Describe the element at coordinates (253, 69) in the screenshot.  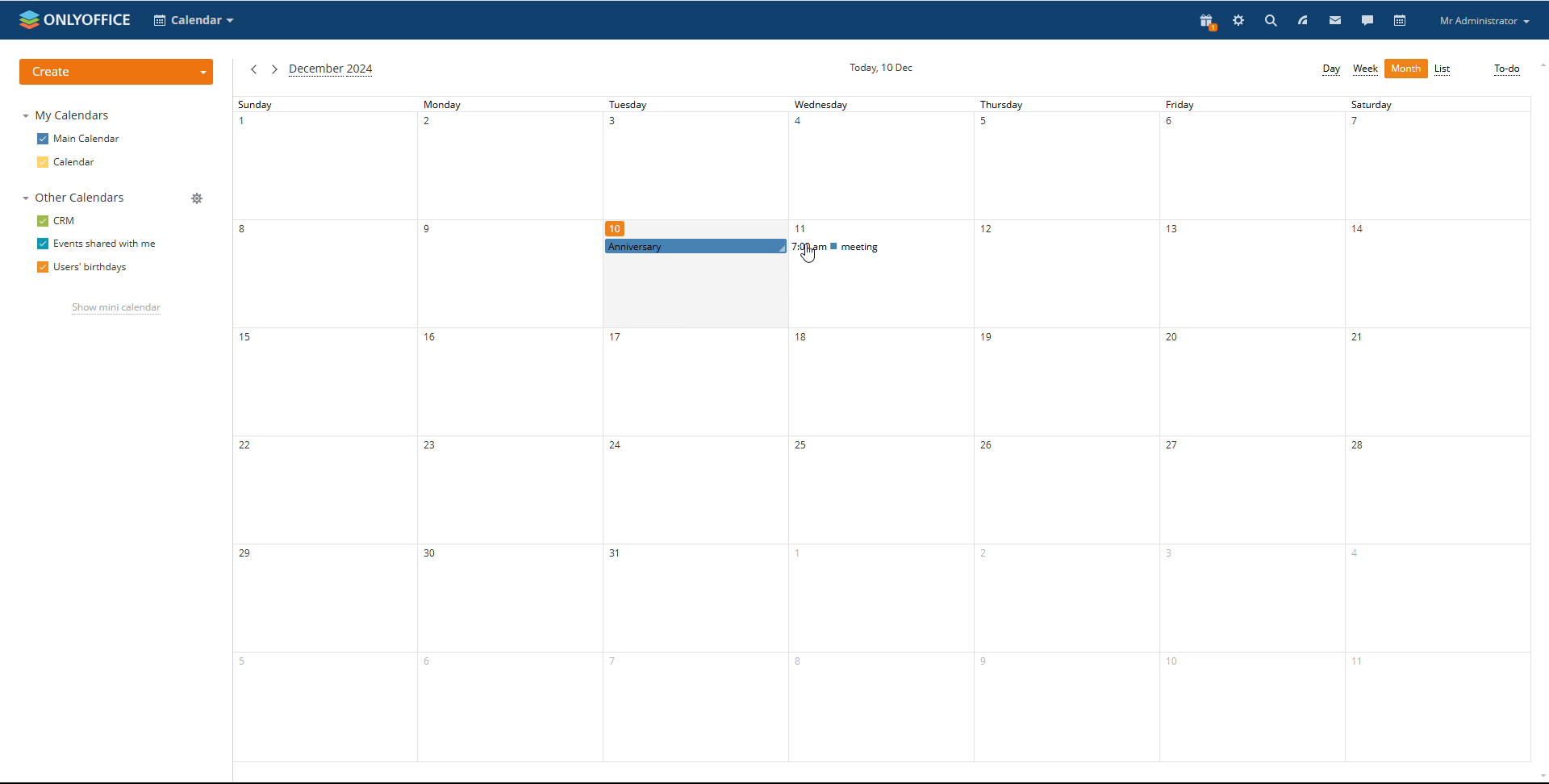
I see `previous month` at that location.